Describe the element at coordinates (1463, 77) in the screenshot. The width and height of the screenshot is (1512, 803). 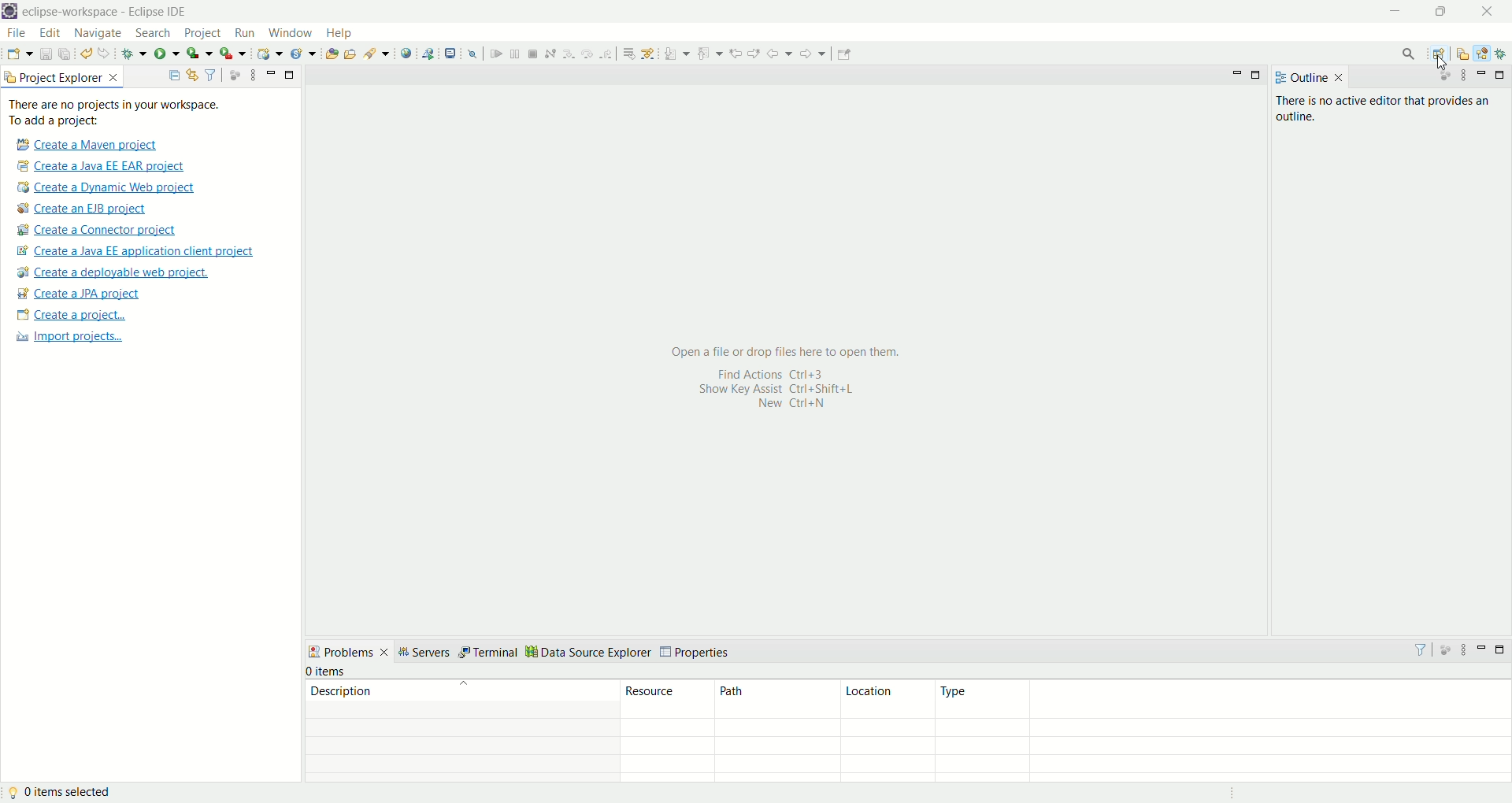
I see `view menu` at that location.